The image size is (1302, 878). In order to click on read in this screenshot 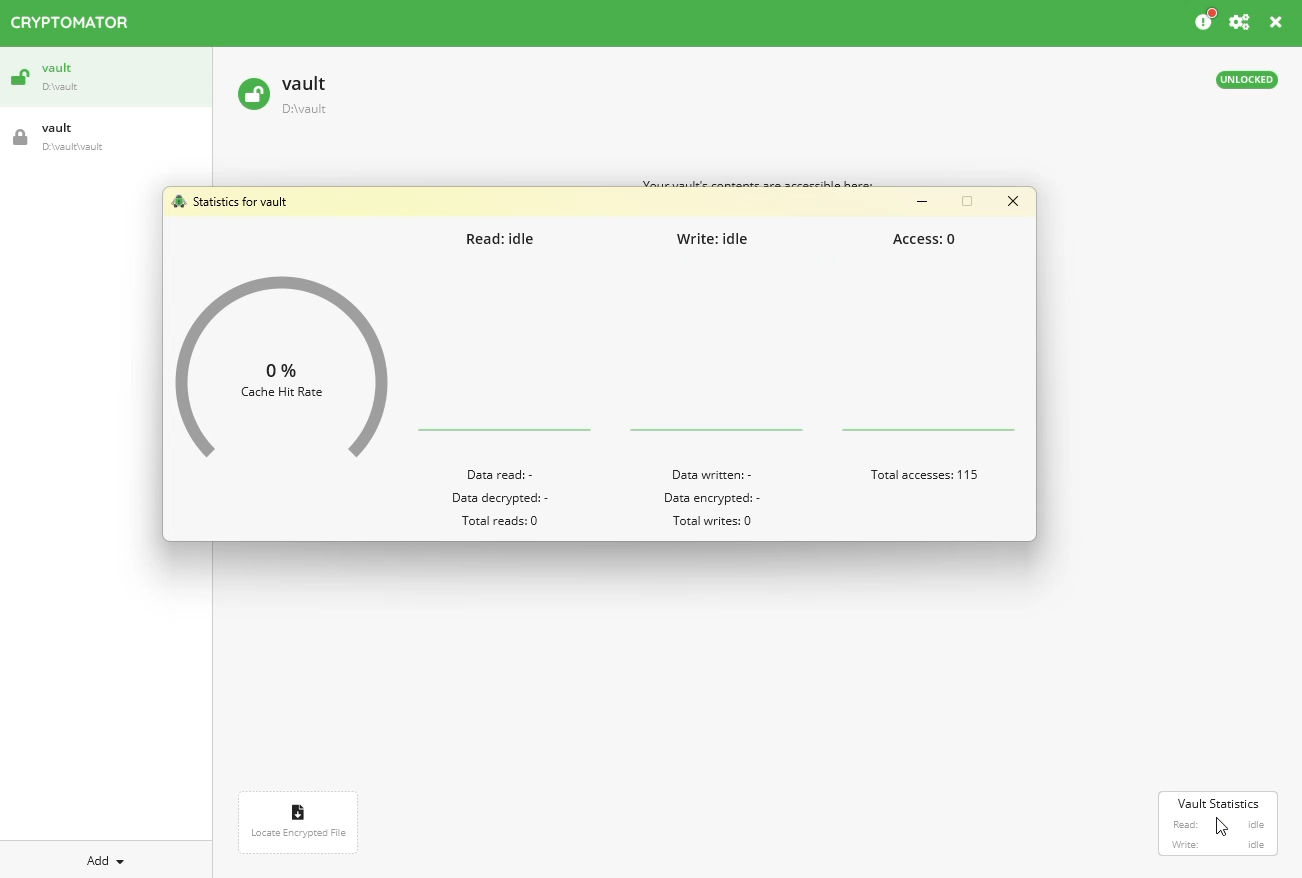, I will do `click(503, 241)`.